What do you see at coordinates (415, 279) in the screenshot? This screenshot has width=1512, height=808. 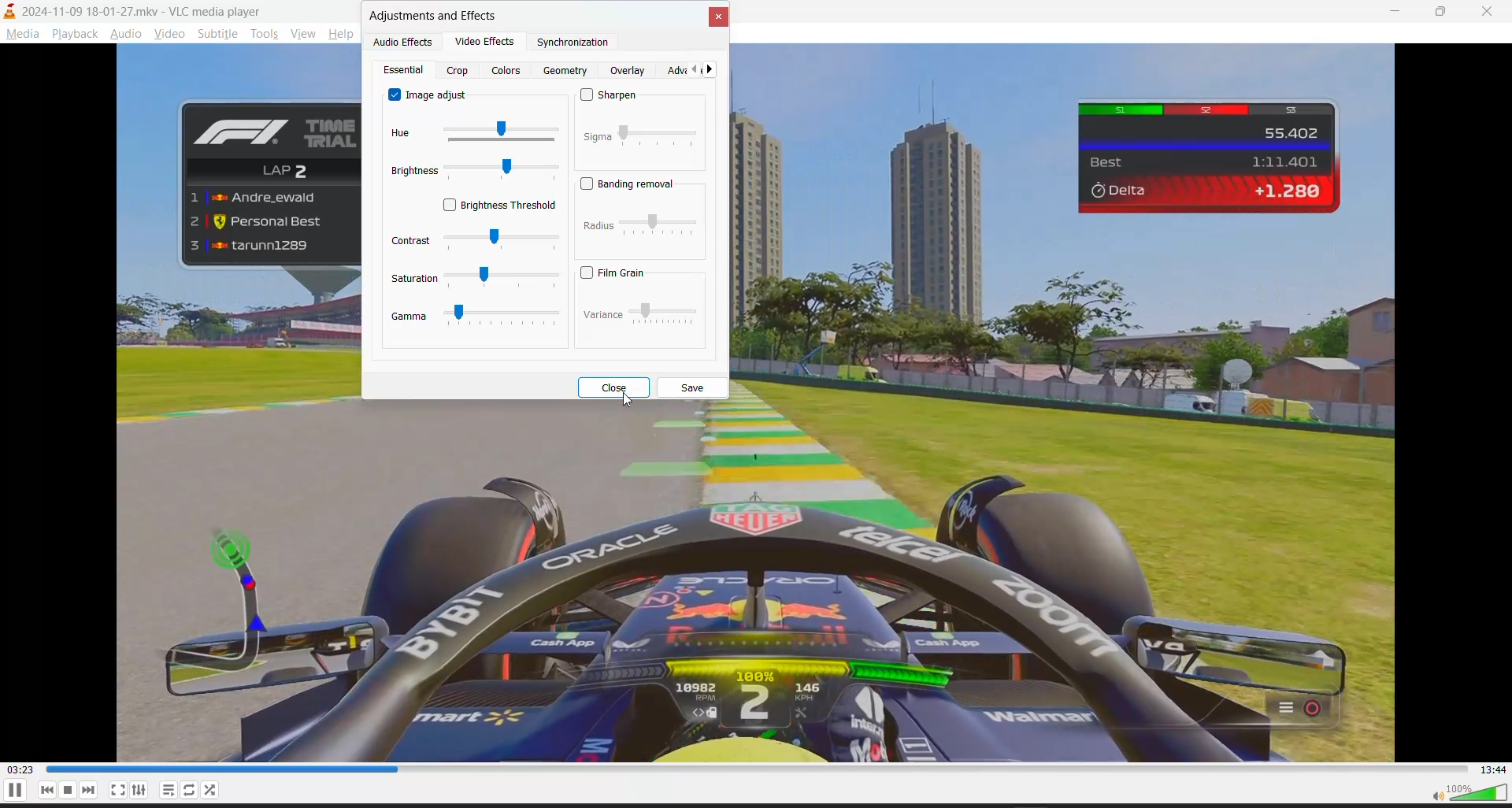 I see `saturation` at bounding box center [415, 279].